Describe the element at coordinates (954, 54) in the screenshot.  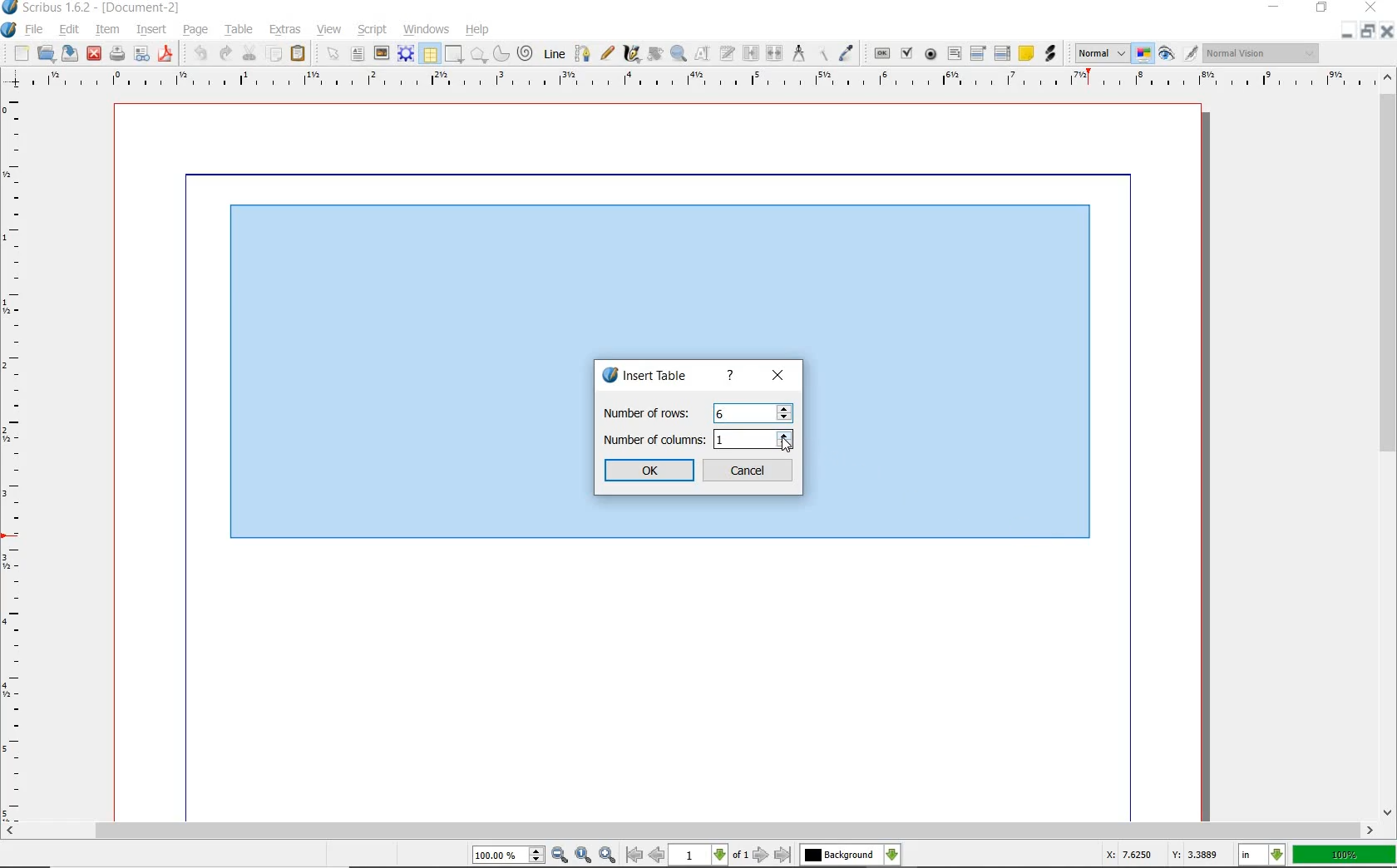
I see `pdf text field` at that location.